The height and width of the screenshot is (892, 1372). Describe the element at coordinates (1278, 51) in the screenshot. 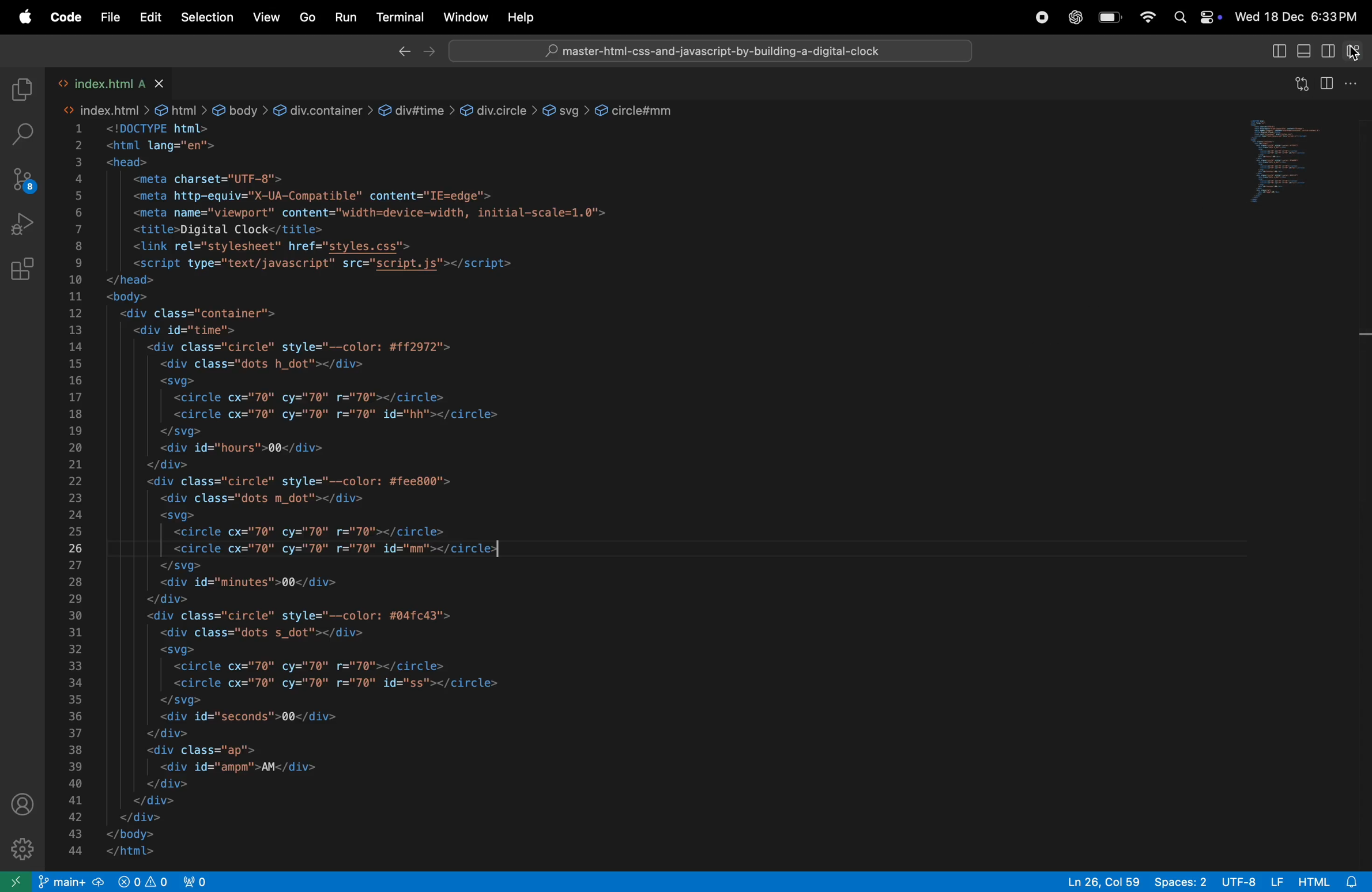

I see `toggle primary side bar` at that location.